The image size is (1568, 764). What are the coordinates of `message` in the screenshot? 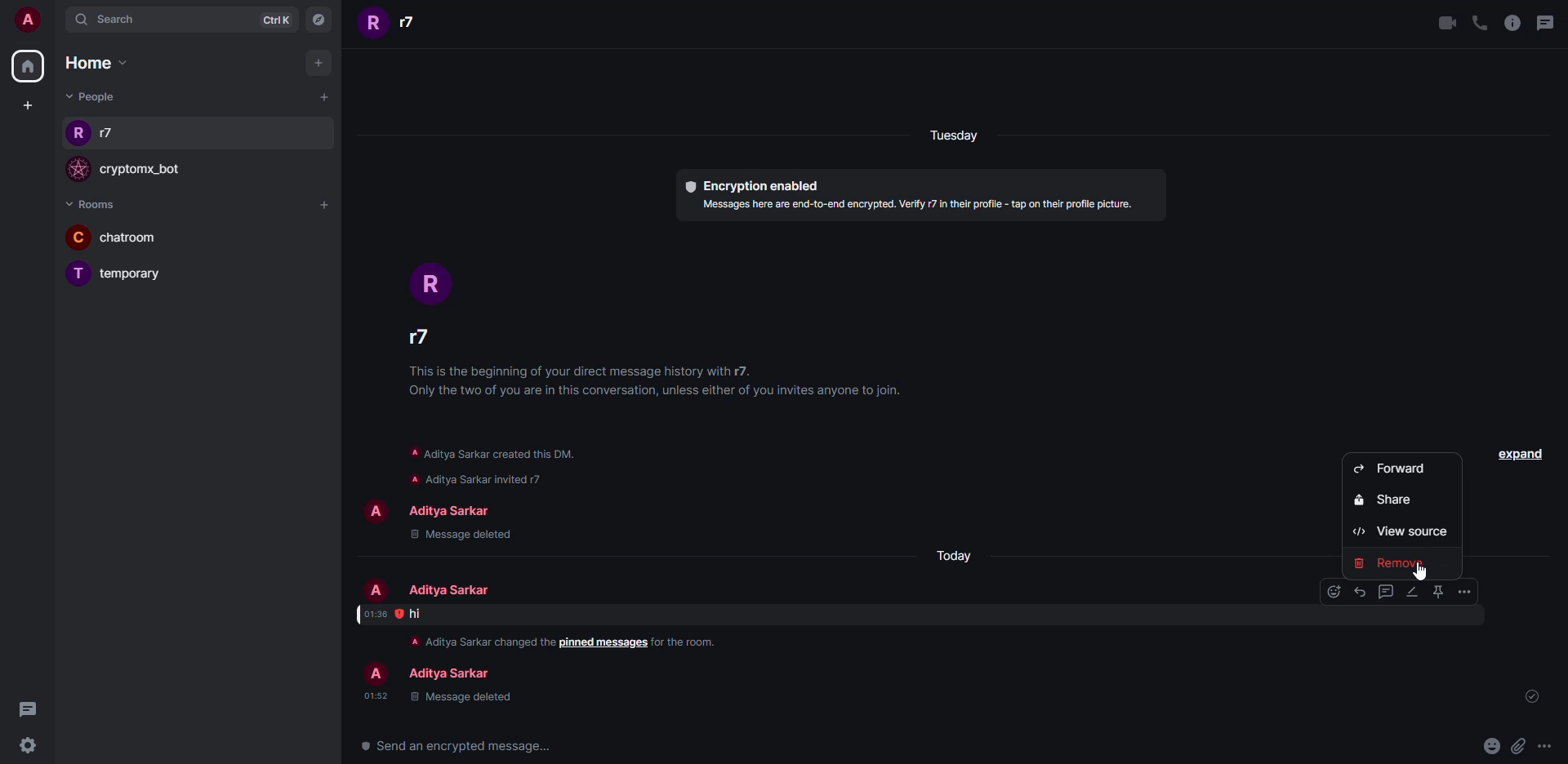 It's located at (416, 614).